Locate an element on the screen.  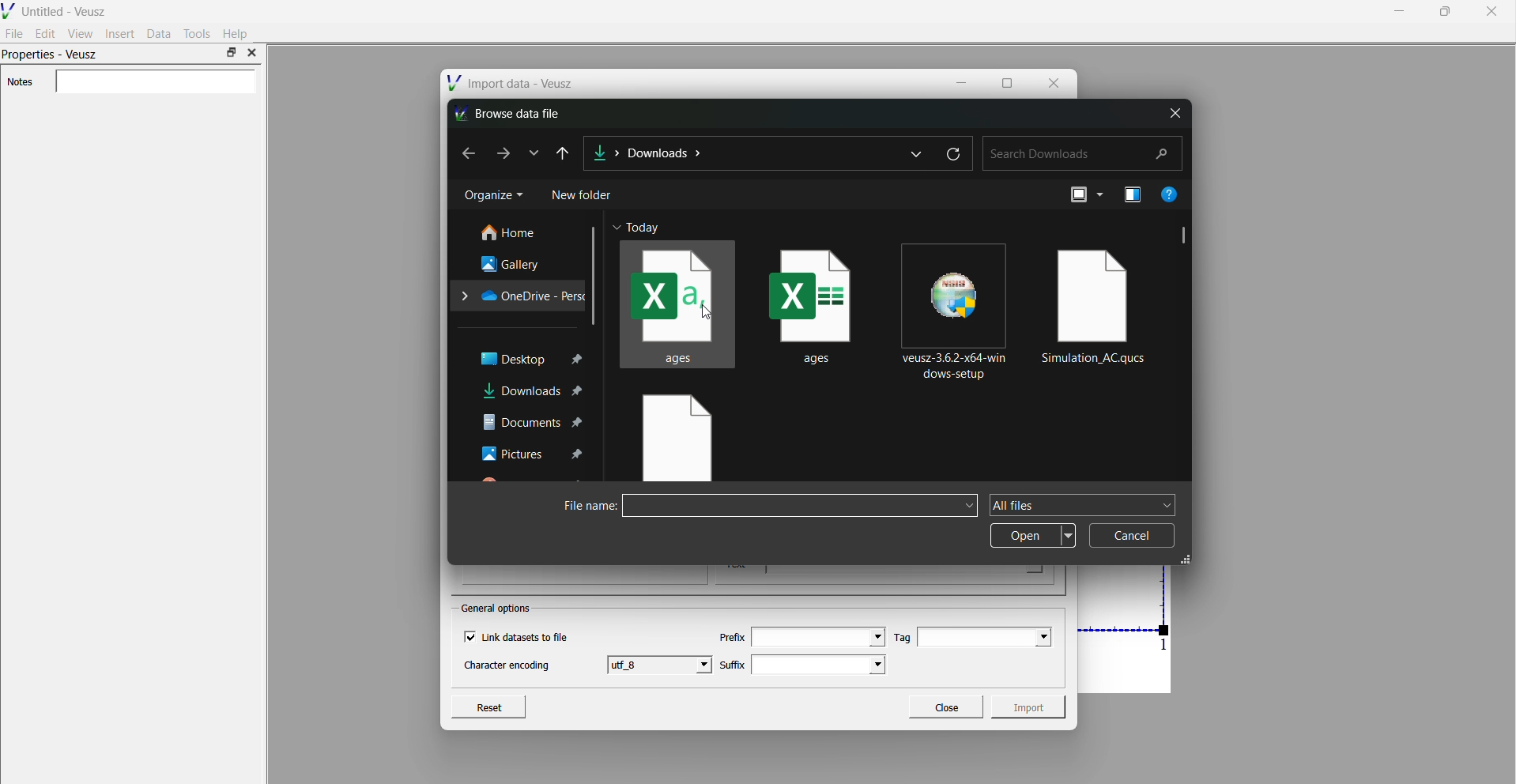
Downloads is located at coordinates (607, 151).